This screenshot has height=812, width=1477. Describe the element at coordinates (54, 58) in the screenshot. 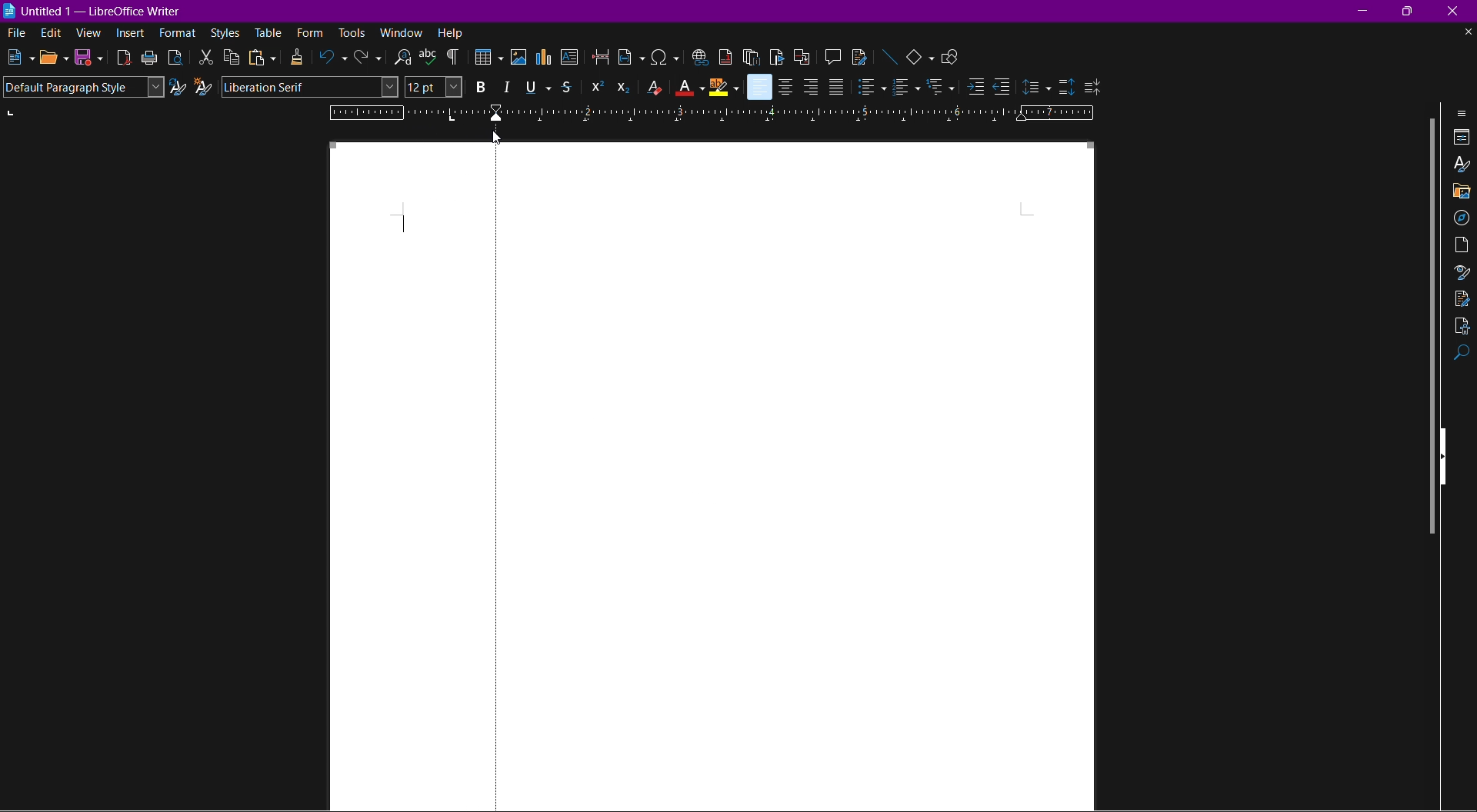

I see `Open` at that location.